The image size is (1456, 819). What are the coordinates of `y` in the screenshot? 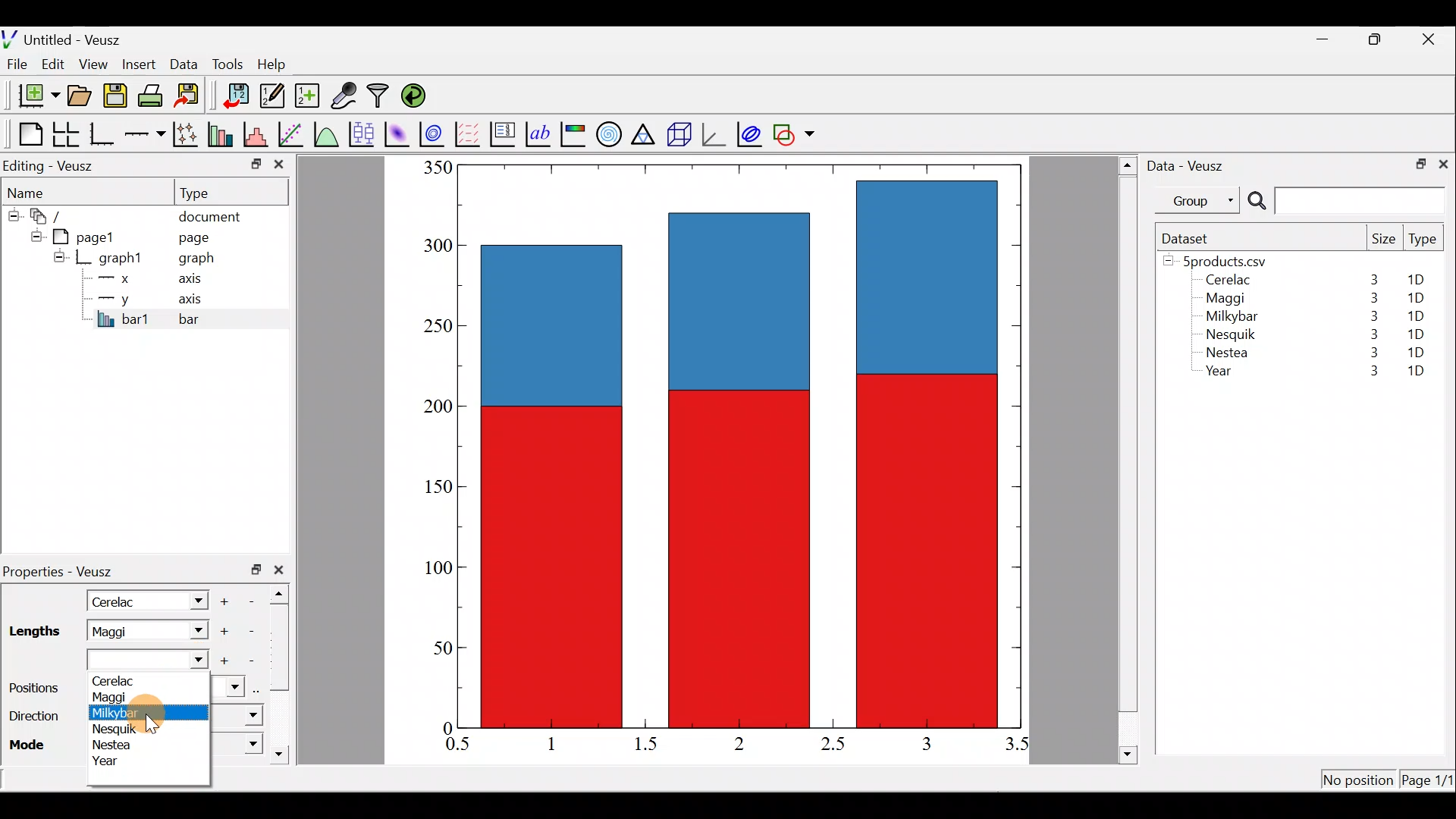 It's located at (114, 297).